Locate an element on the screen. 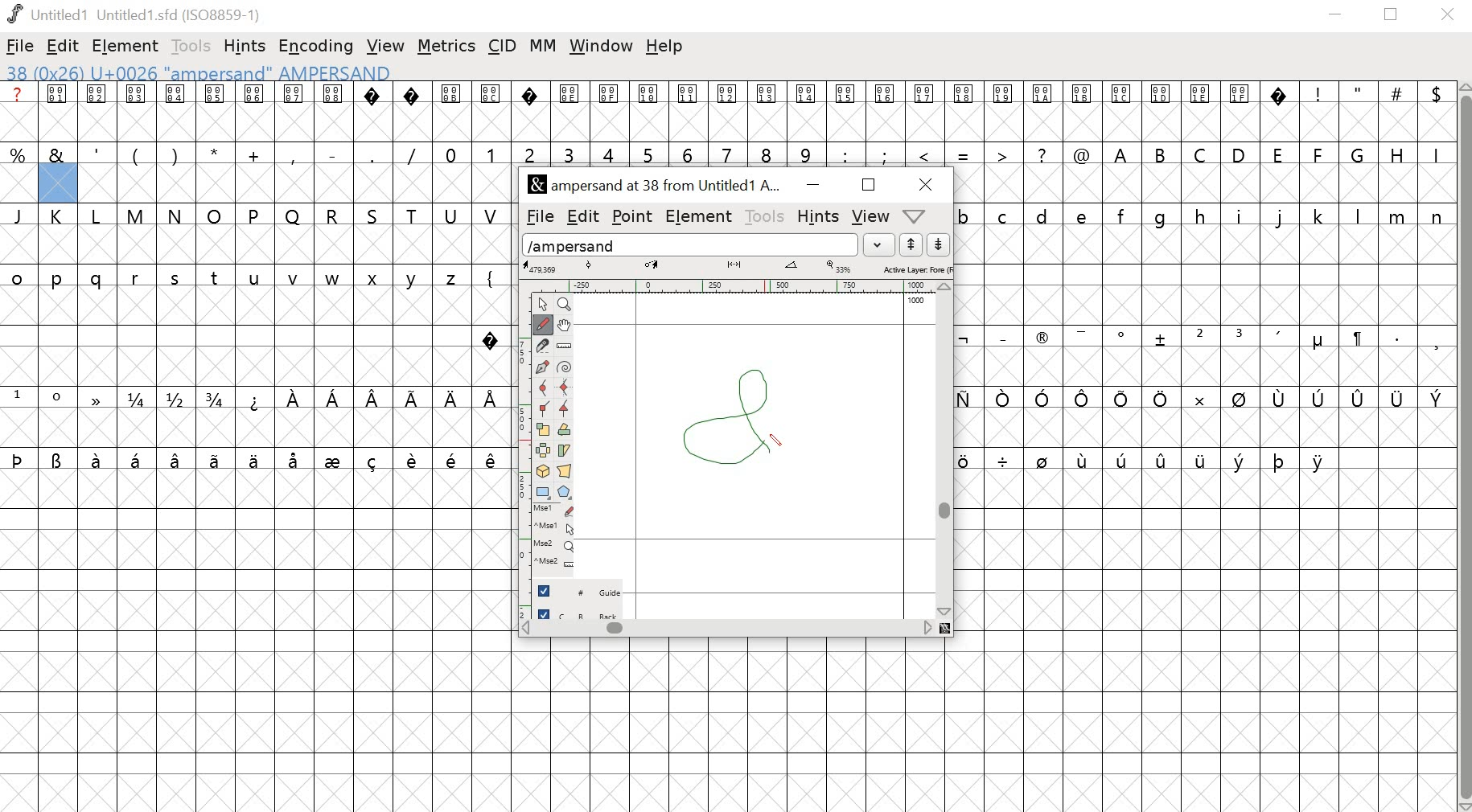  window is located at coordinates (600, 47).